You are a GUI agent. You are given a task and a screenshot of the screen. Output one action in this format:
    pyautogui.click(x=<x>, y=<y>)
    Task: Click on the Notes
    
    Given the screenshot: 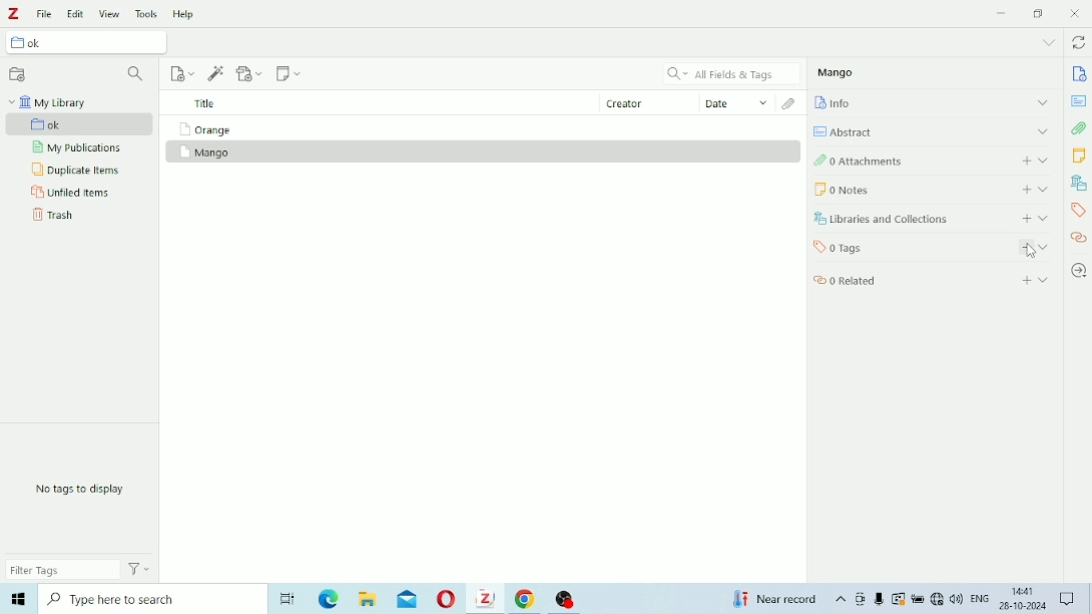 What is the action you would take?
    pyautogui.click(x=932, y=189)
    